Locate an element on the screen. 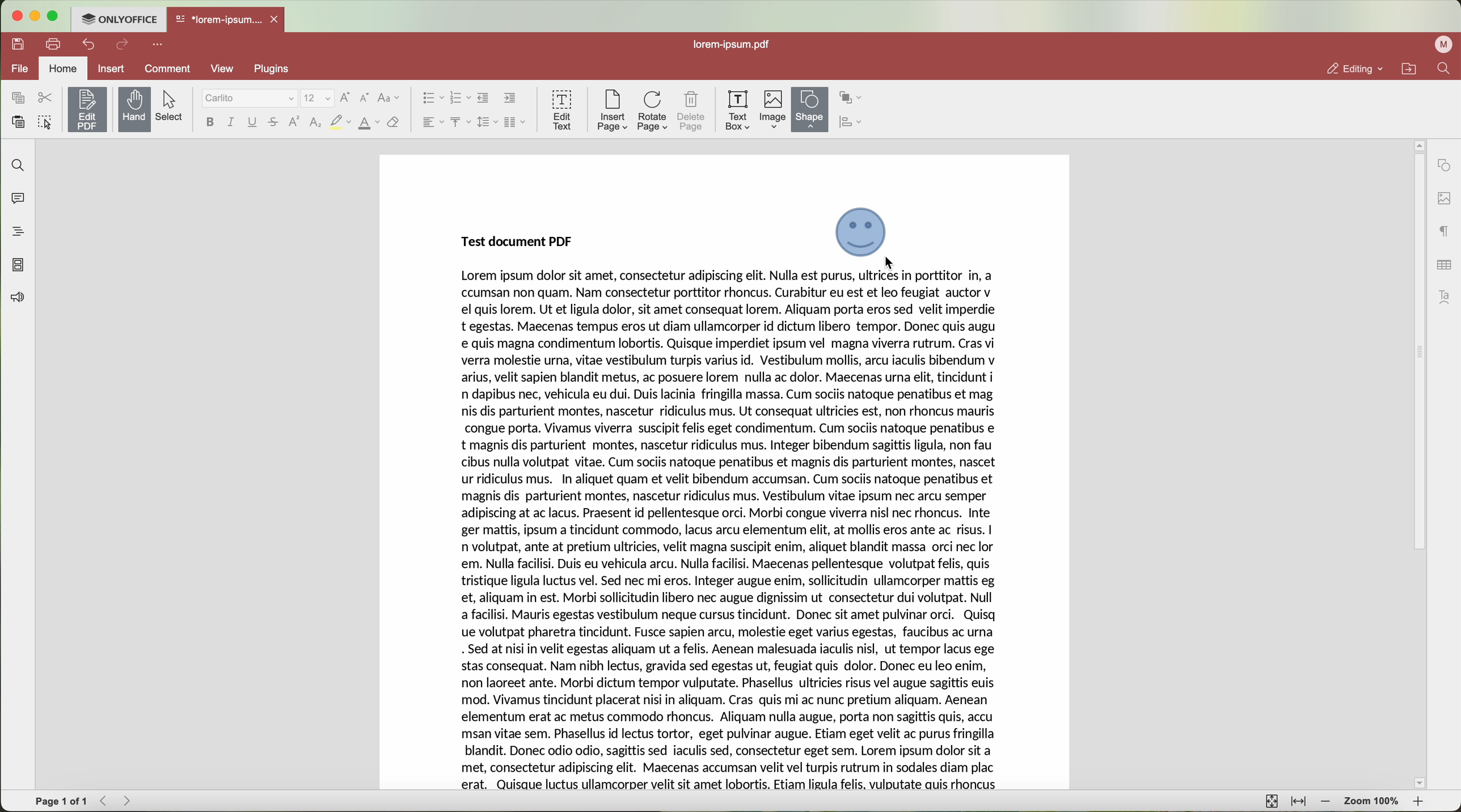 This screenshot has width=1461, height=812. zoom in is located at coordinates (1418, 802).